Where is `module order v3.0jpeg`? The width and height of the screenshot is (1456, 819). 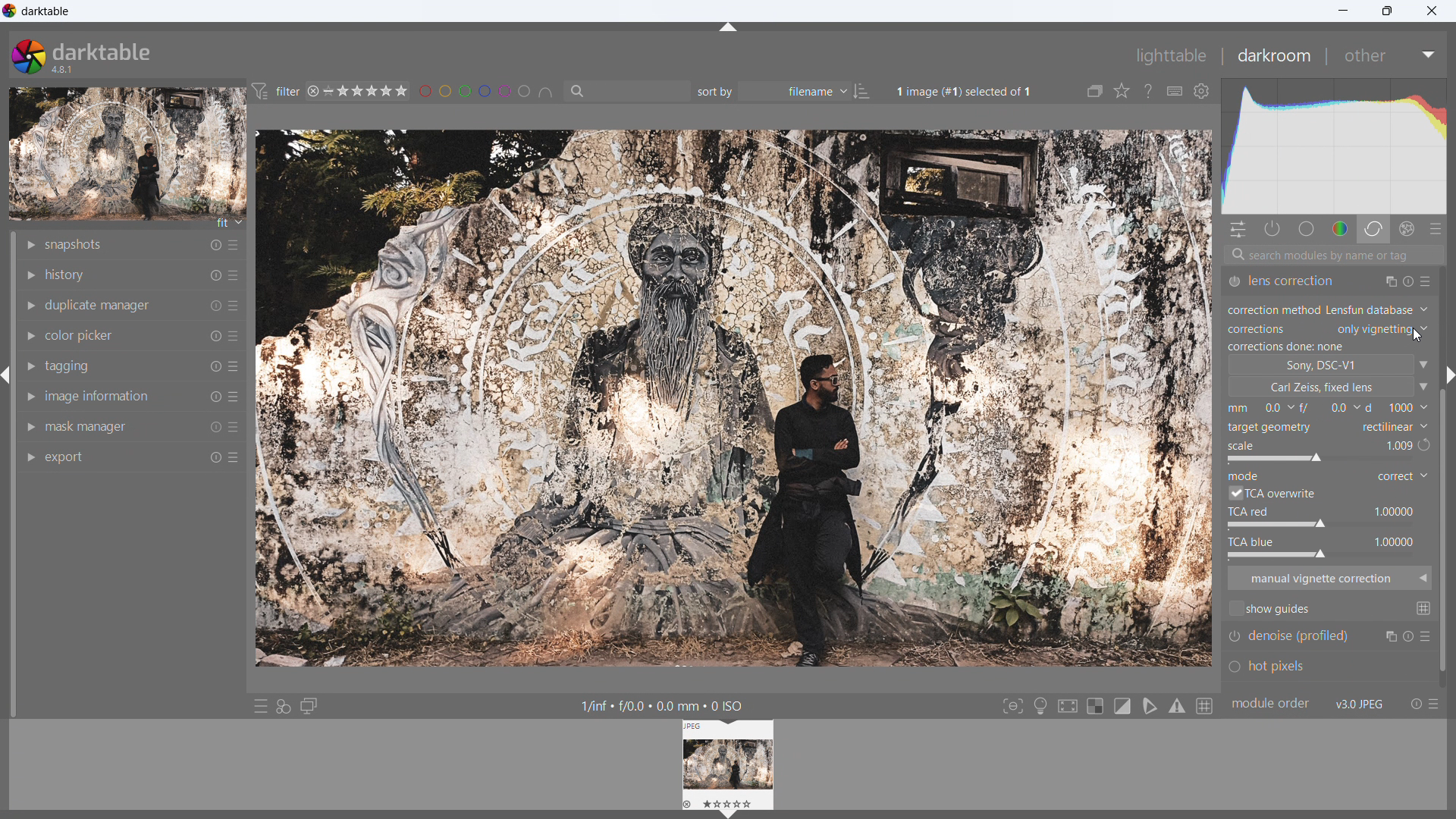 module order v3.0jpeg is located at coordinates (1310, 702).